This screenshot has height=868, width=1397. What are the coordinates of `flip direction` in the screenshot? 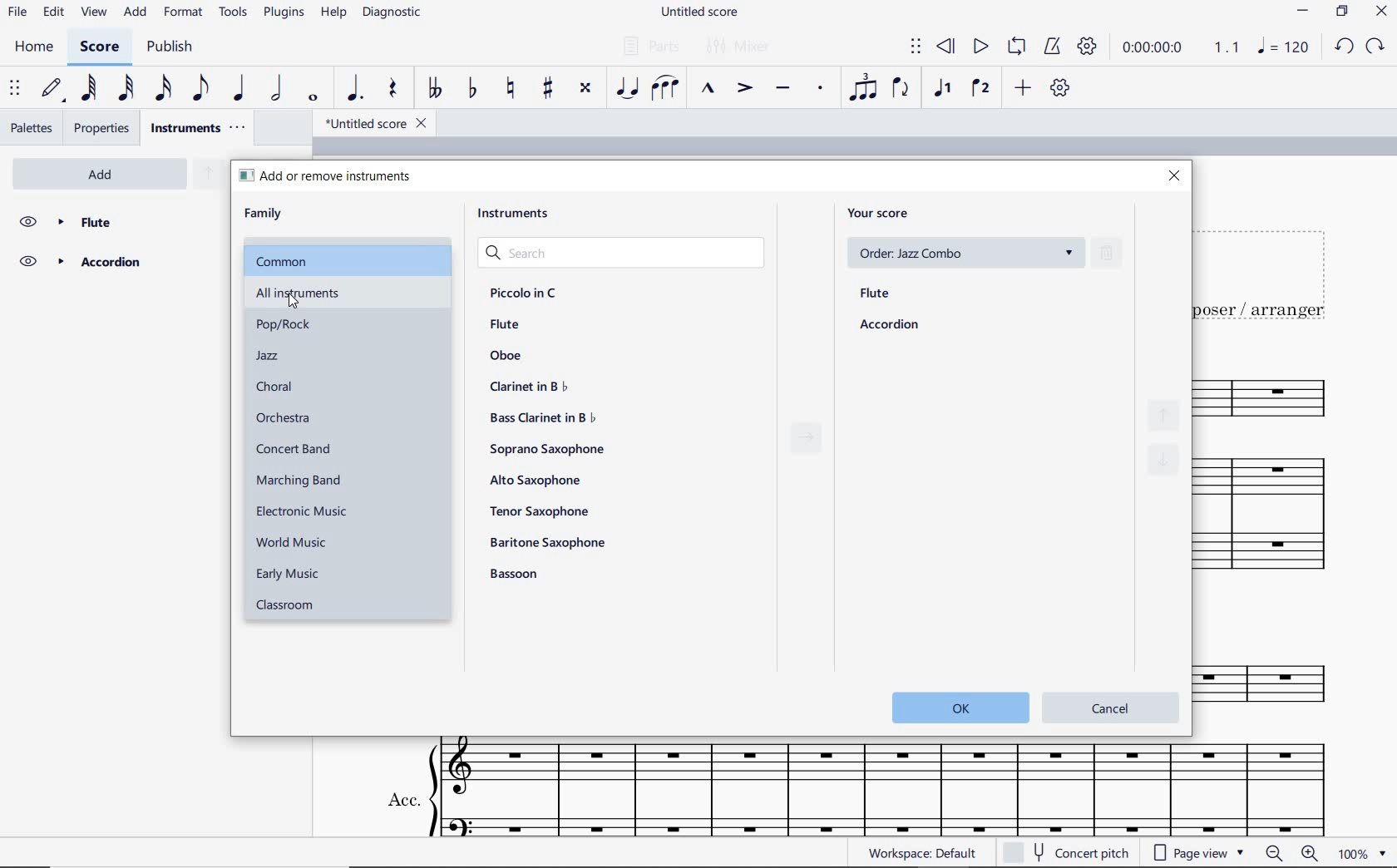 It's located at (902, 89).